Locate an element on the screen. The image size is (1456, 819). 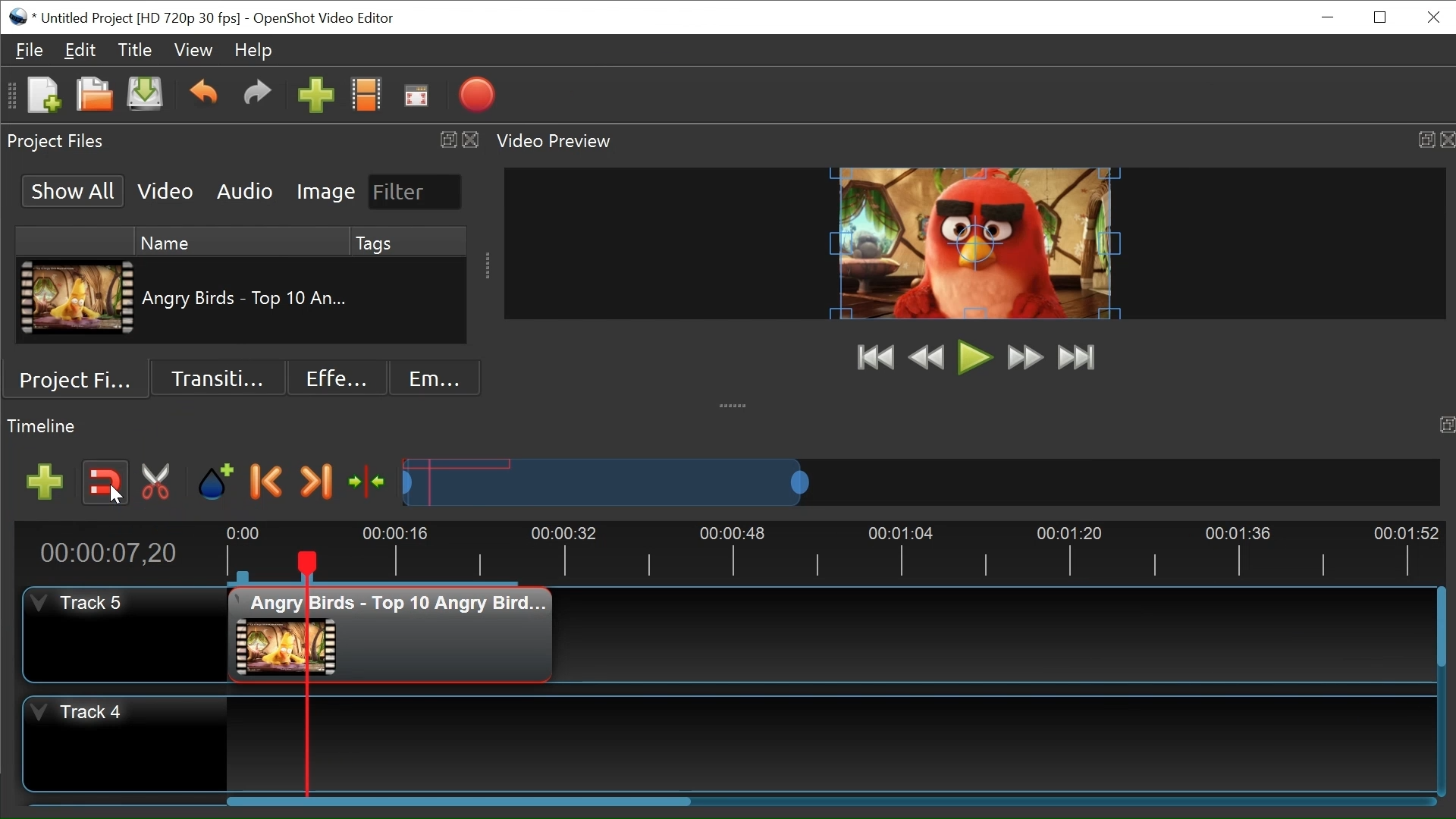
Video Preview Panel is located at coordinates (972, 140).